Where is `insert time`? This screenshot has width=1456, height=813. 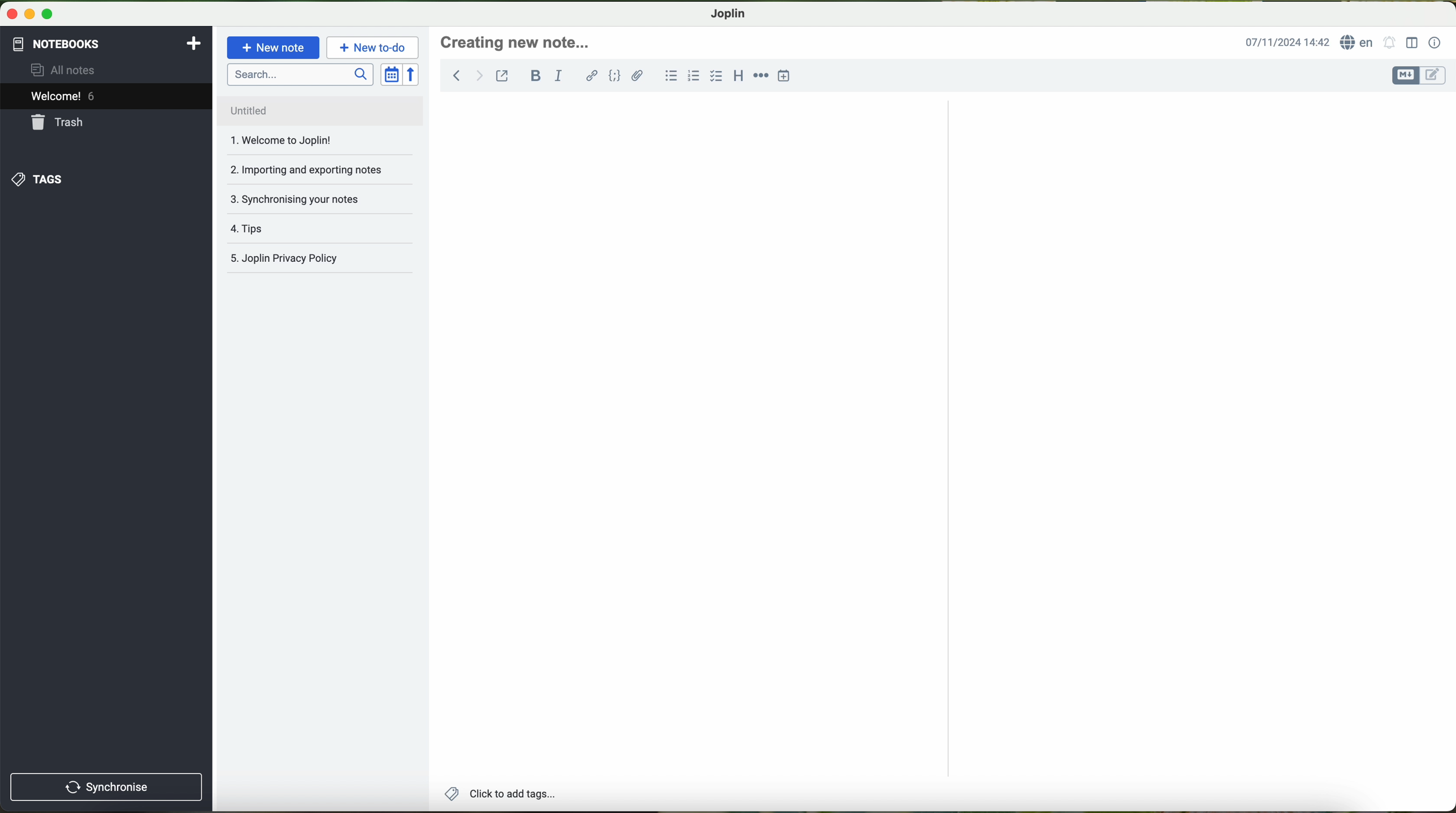 insert time is located at coordinates (787, 75).